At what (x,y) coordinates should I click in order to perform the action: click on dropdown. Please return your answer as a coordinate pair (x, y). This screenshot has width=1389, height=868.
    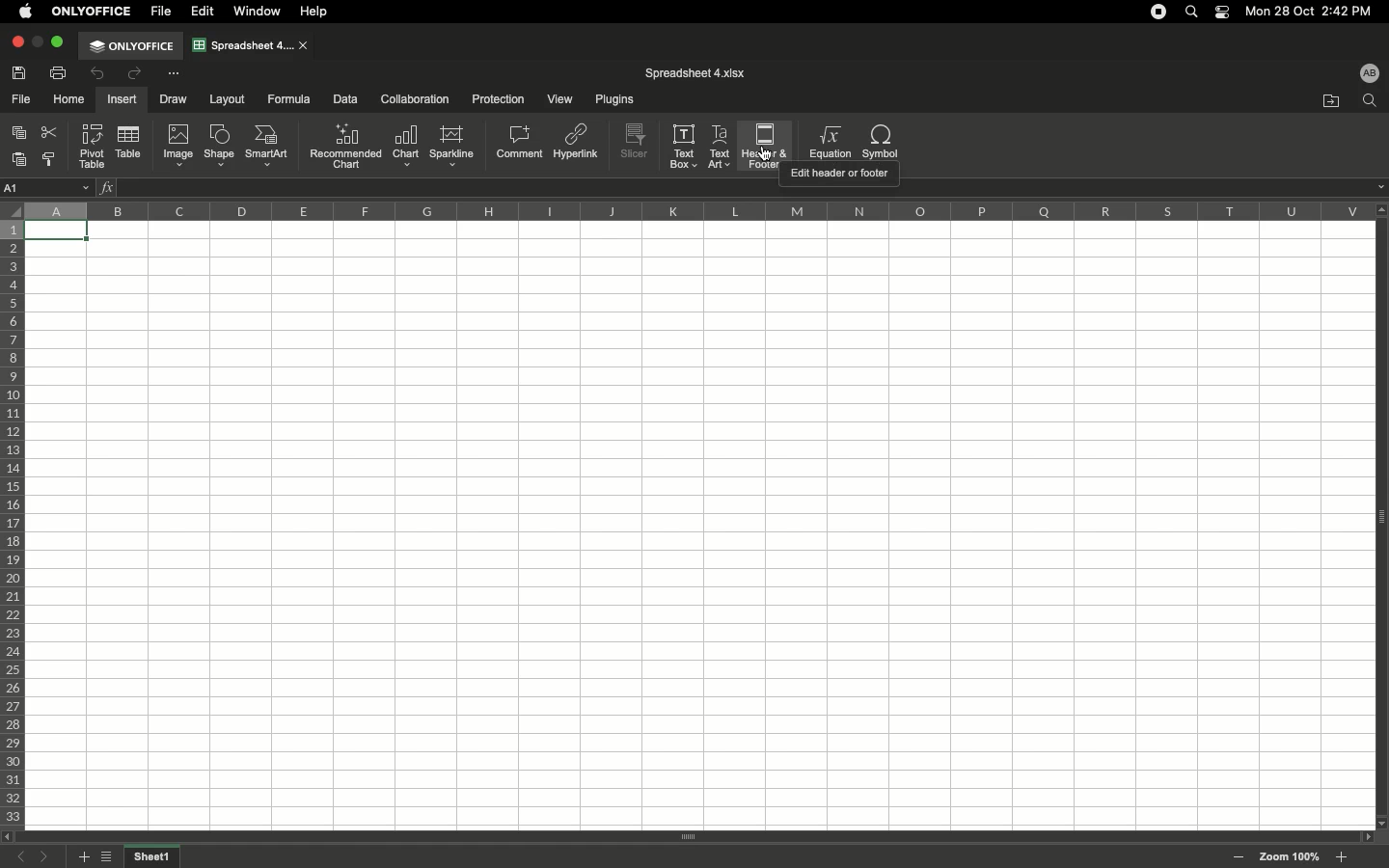
    Looking at the image, I should click on (1380, 187).